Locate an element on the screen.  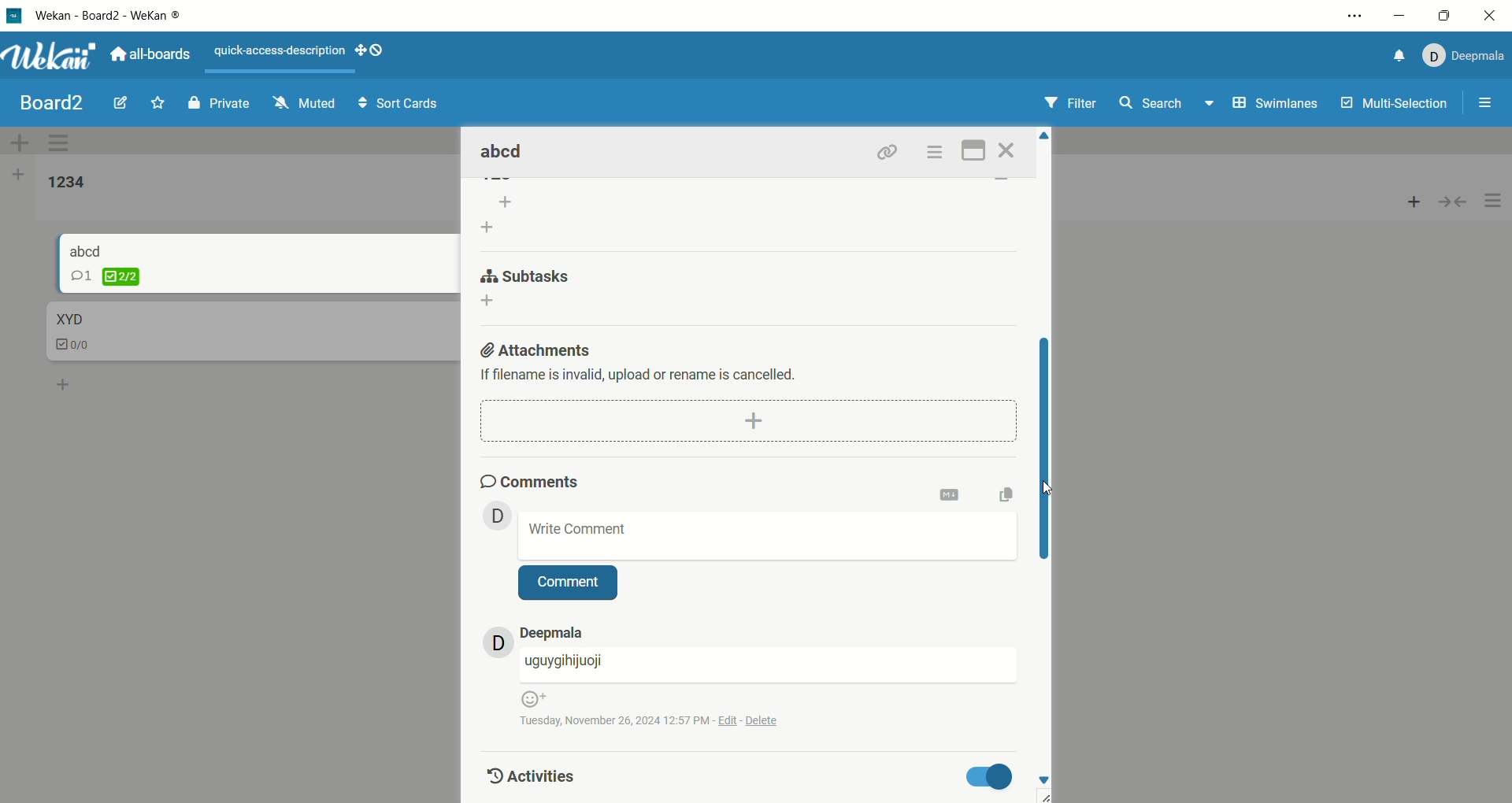
add list is located at coordinates (500, 215).